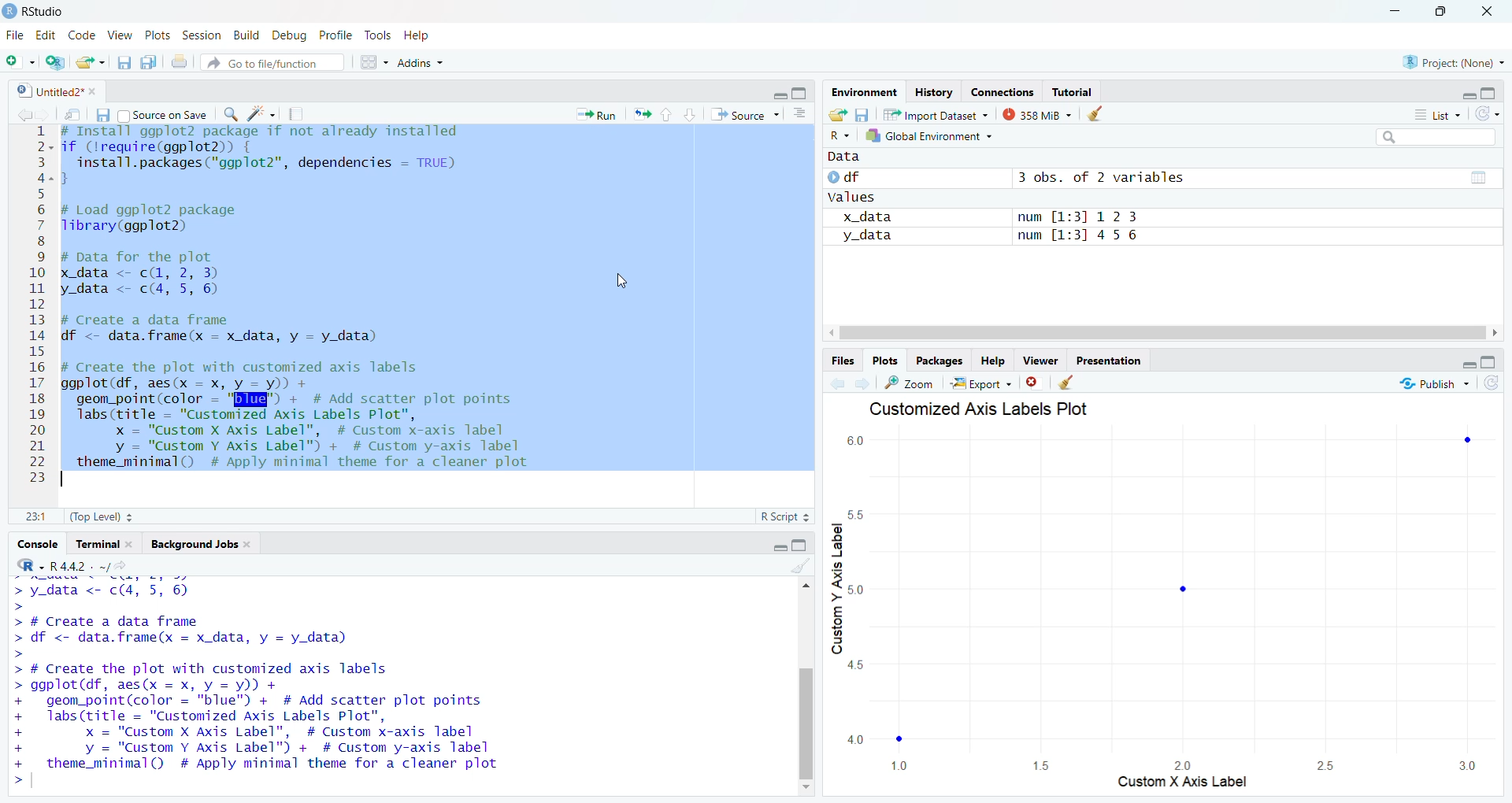  I want to click on minimise, so click(777, 94).